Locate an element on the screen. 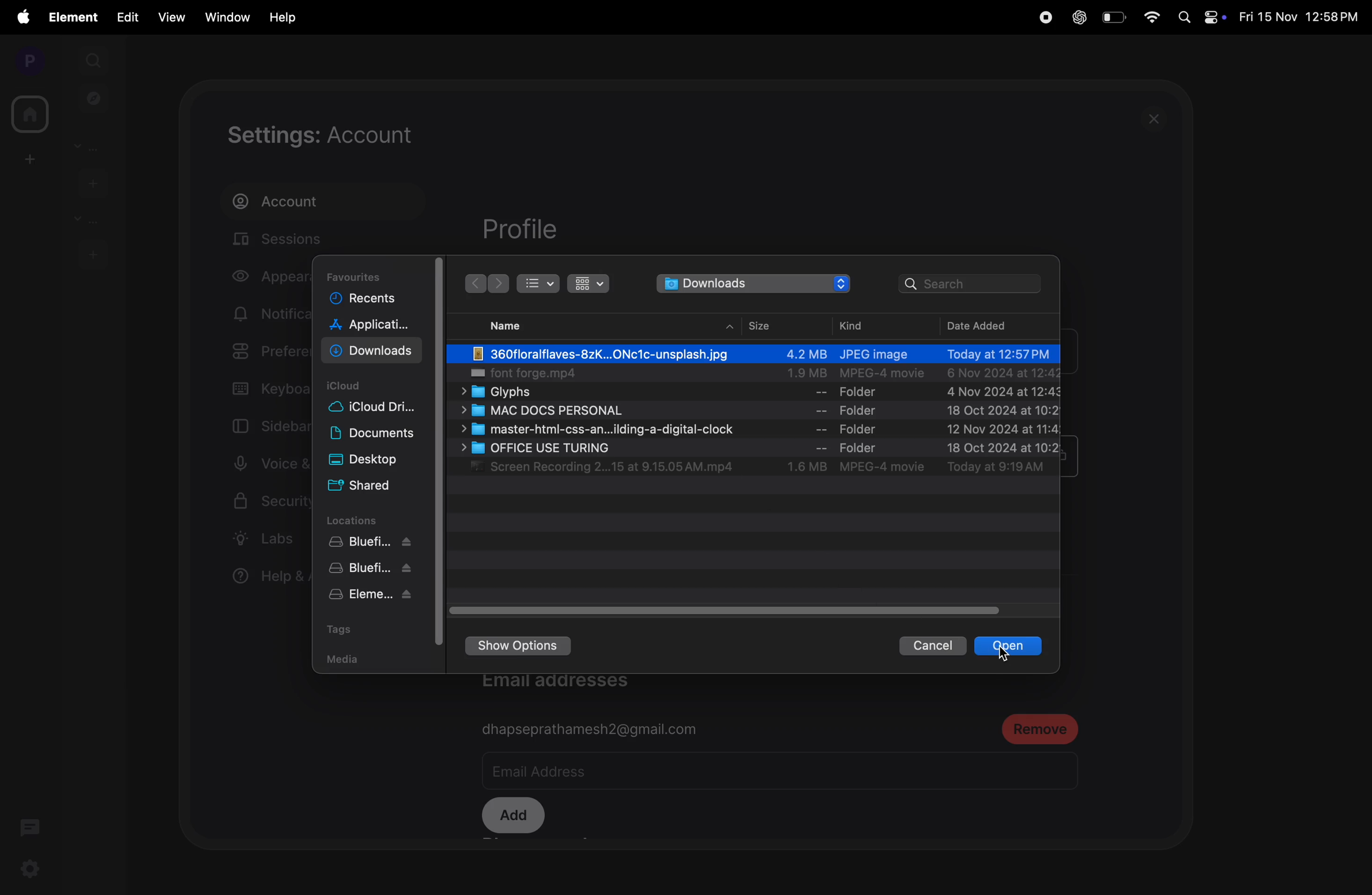  media is located at coordinates (340, 661).